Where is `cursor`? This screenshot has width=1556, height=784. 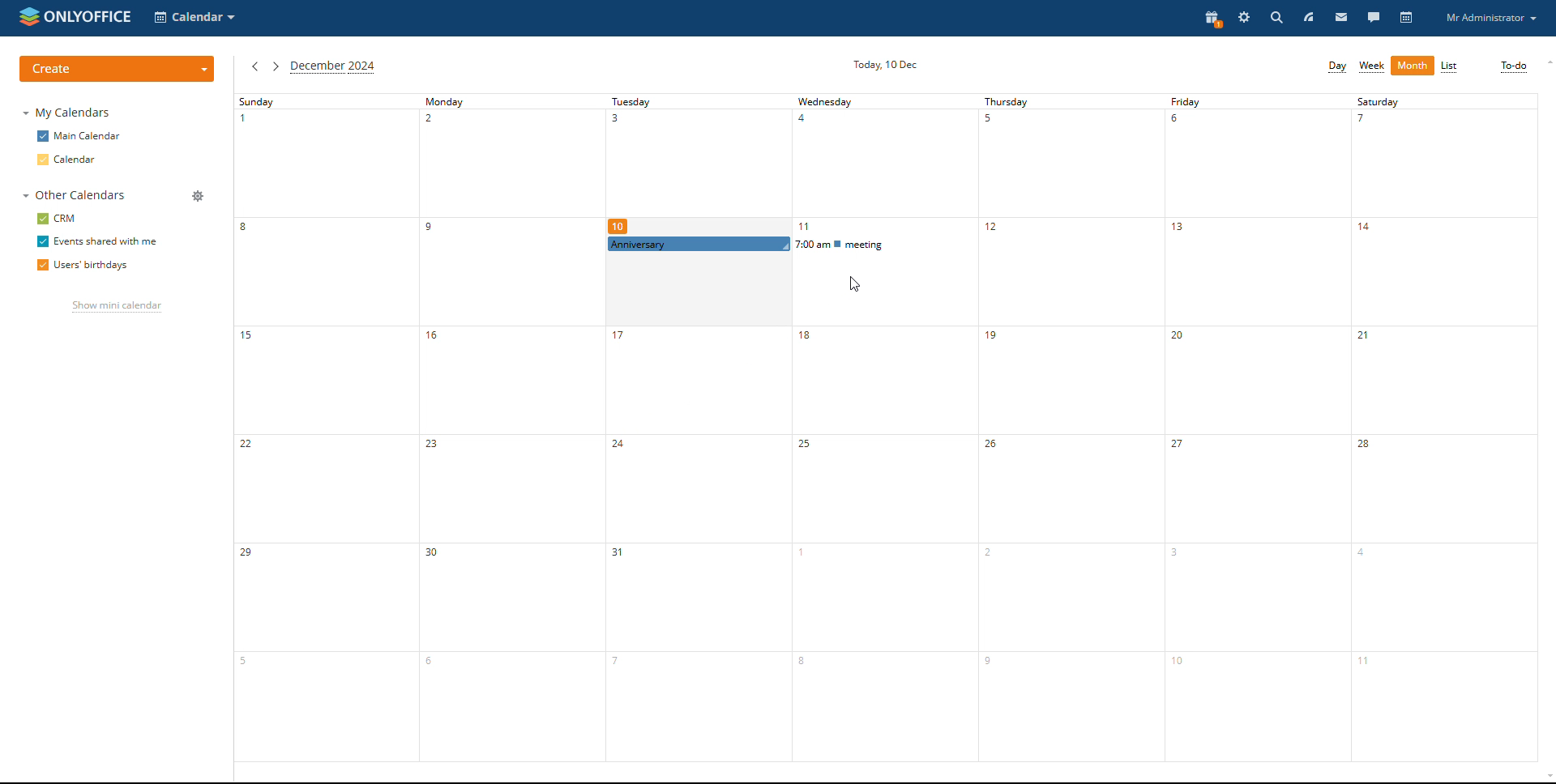 cursor is located at coordinates (855, 285).